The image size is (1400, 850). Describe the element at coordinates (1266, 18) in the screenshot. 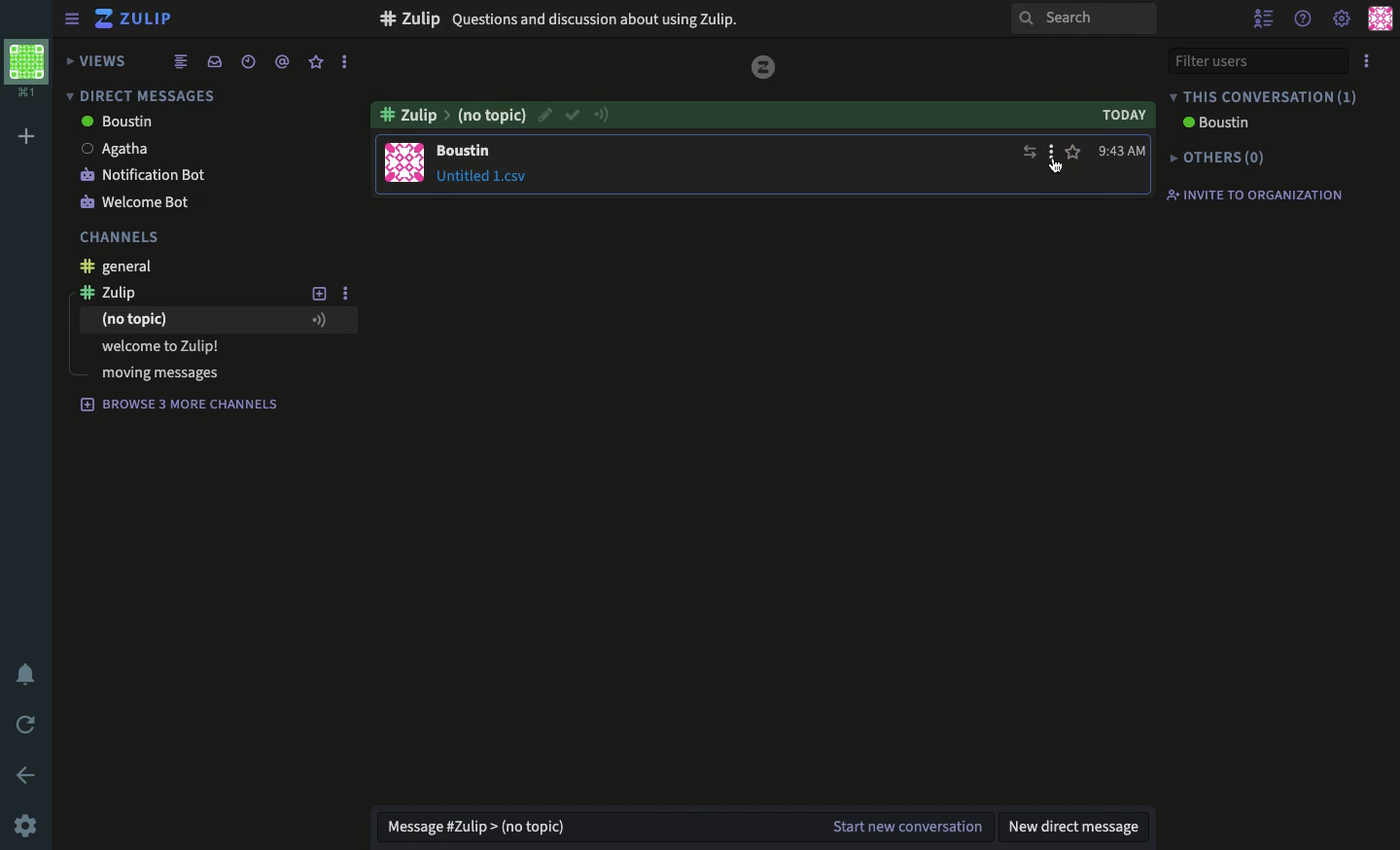

I see `hide user list ` at that location.